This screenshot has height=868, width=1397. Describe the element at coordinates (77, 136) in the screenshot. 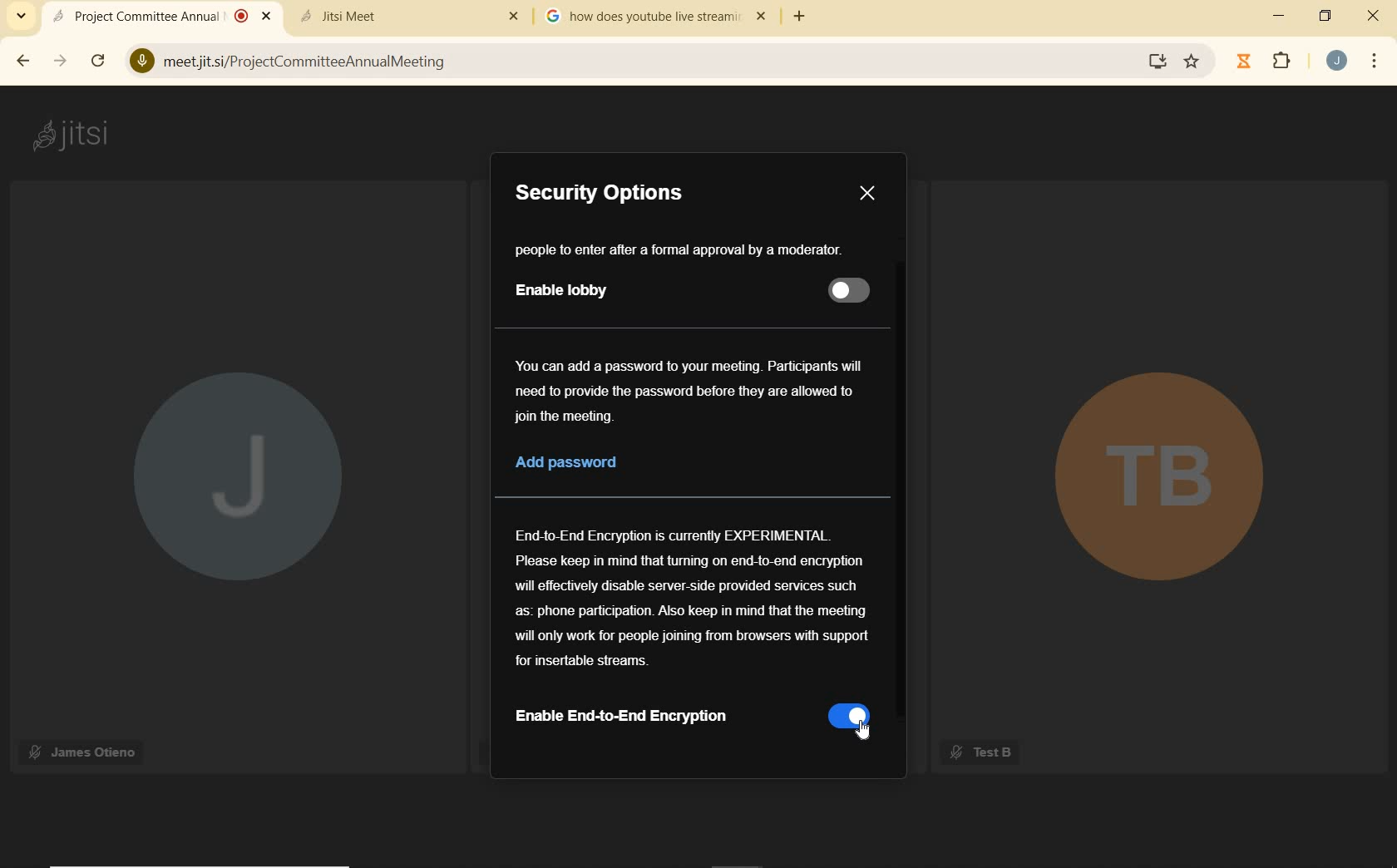

I see `jitsi` at that location.